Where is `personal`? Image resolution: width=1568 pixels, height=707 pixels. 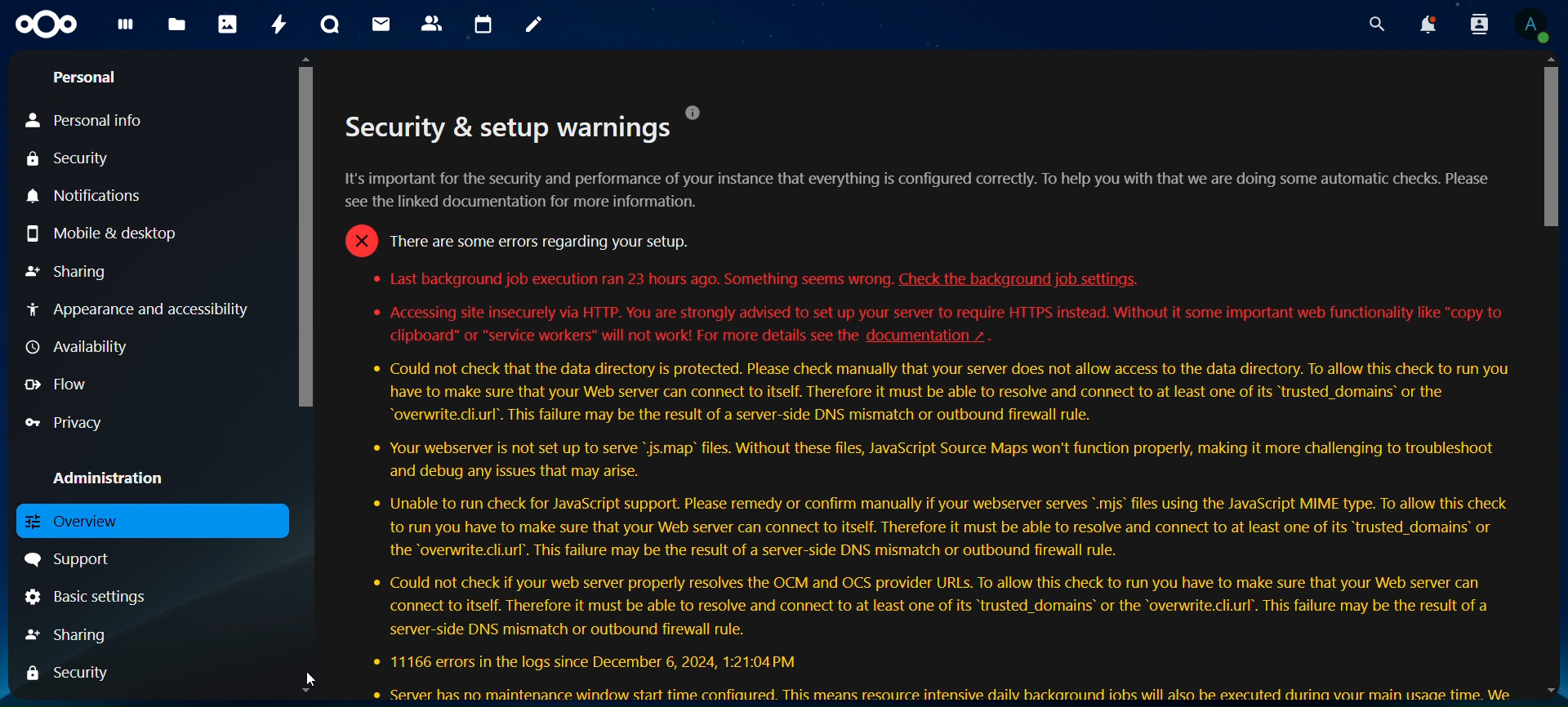 personal is located at coordinates (84, 77).